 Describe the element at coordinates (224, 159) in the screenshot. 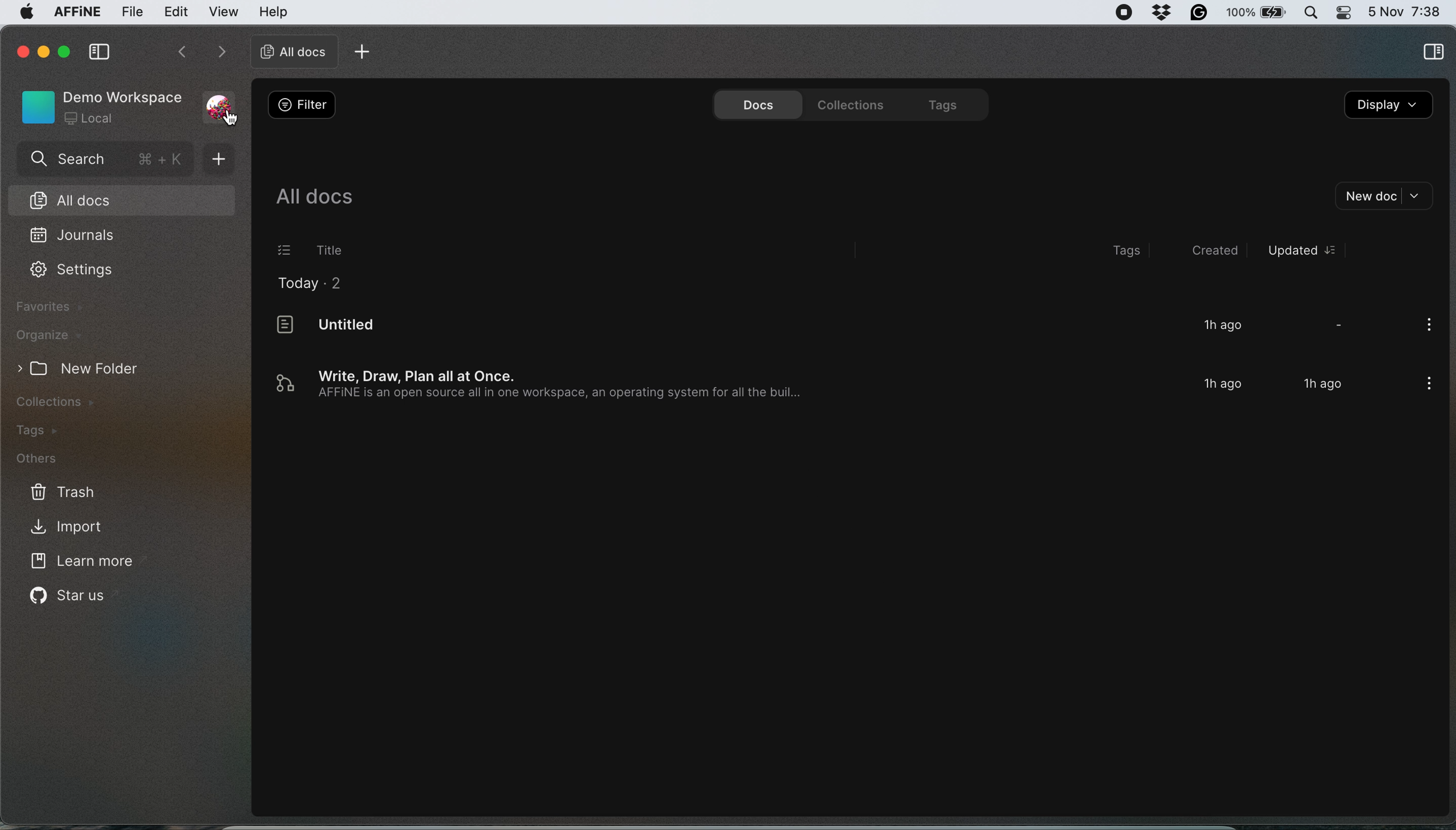

I see `add new document` at that location.